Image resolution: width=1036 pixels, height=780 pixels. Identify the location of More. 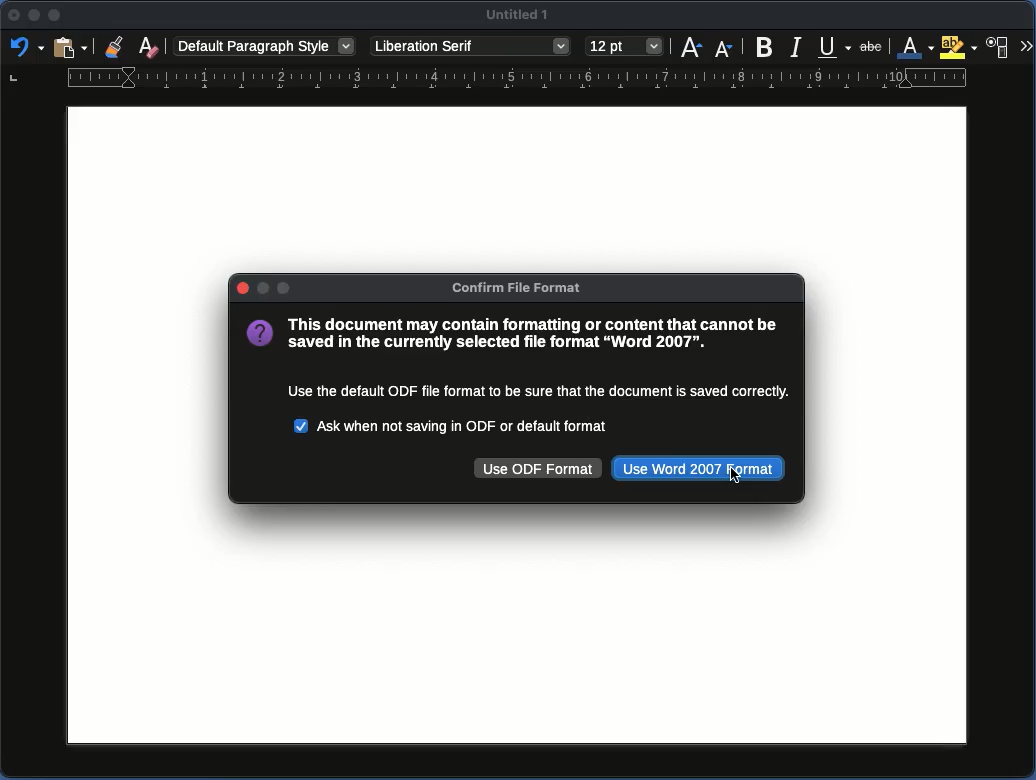
(1026, 47).